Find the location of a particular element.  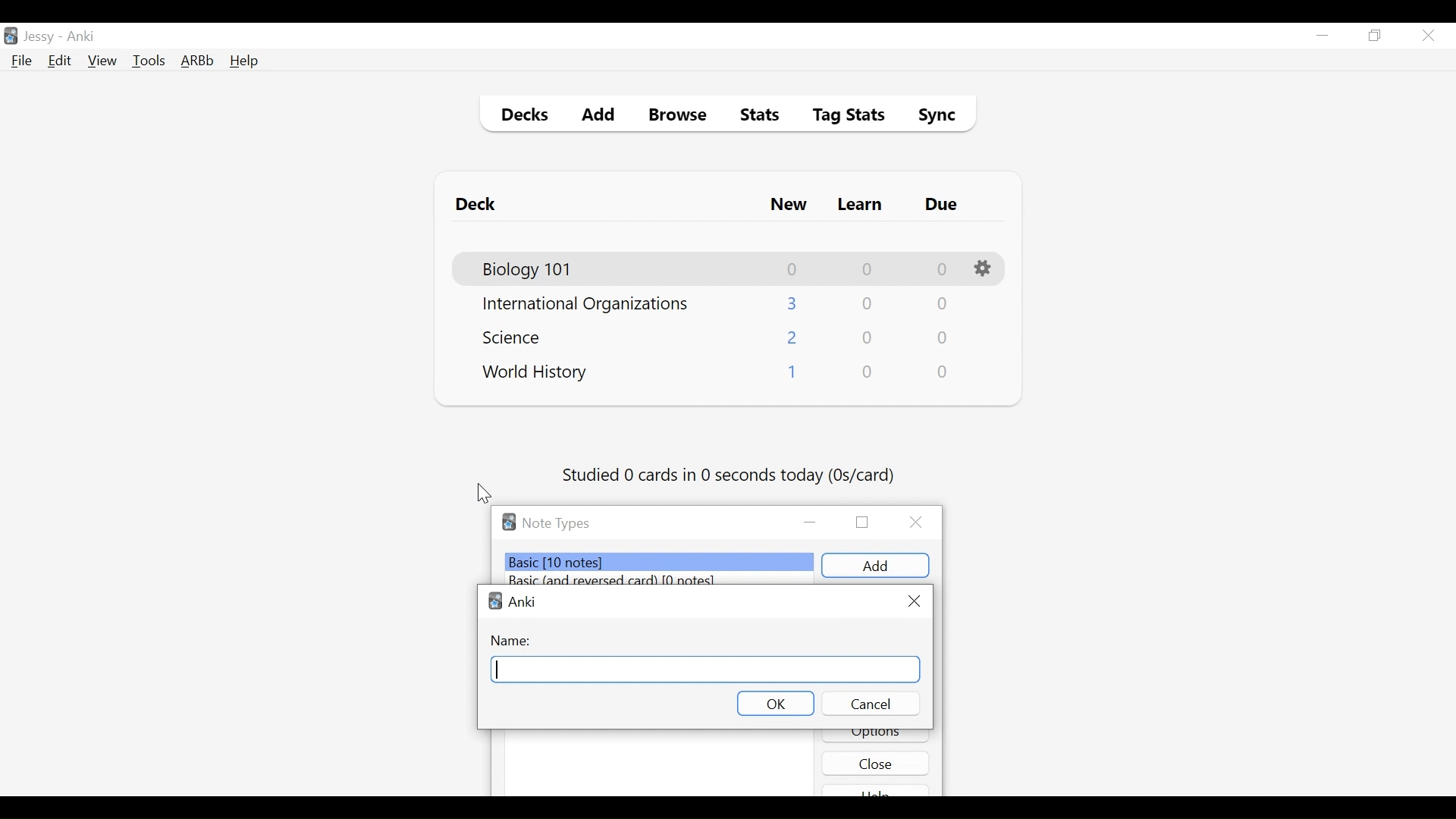

 is located at coordinates (868, 372).